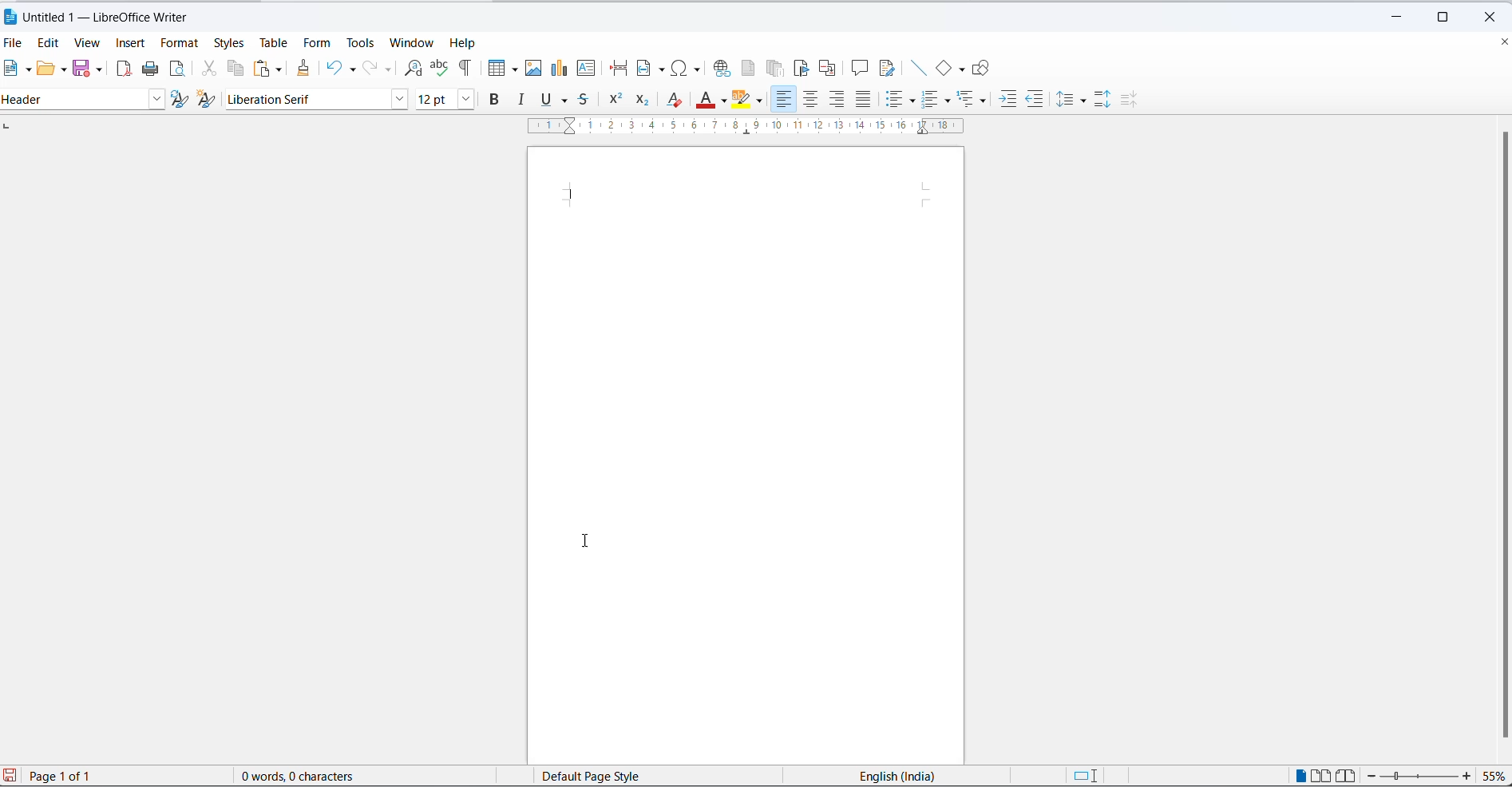 The height and width of the screenshot is (787, 1512). What do you see at coordinates (398, 100) in the screenshot?
I see `font name option` at bounding box center [398, 100].